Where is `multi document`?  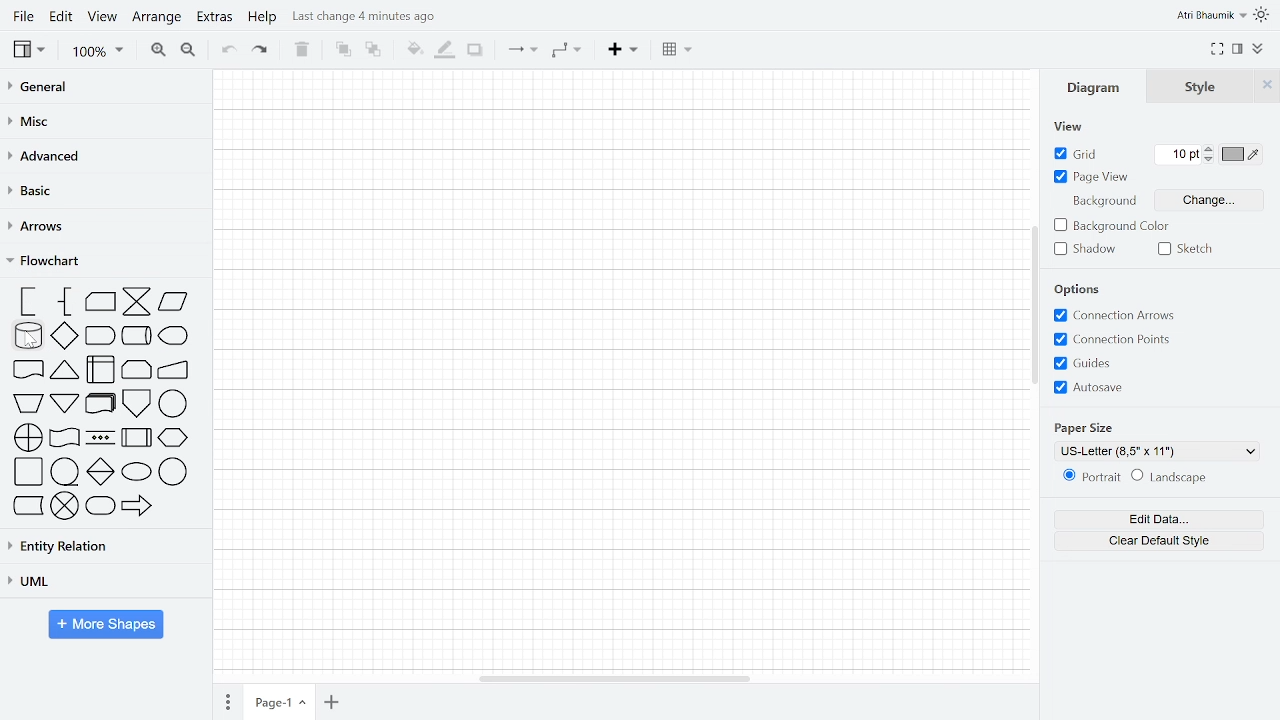 multi document is located at coordinates (99, 405).